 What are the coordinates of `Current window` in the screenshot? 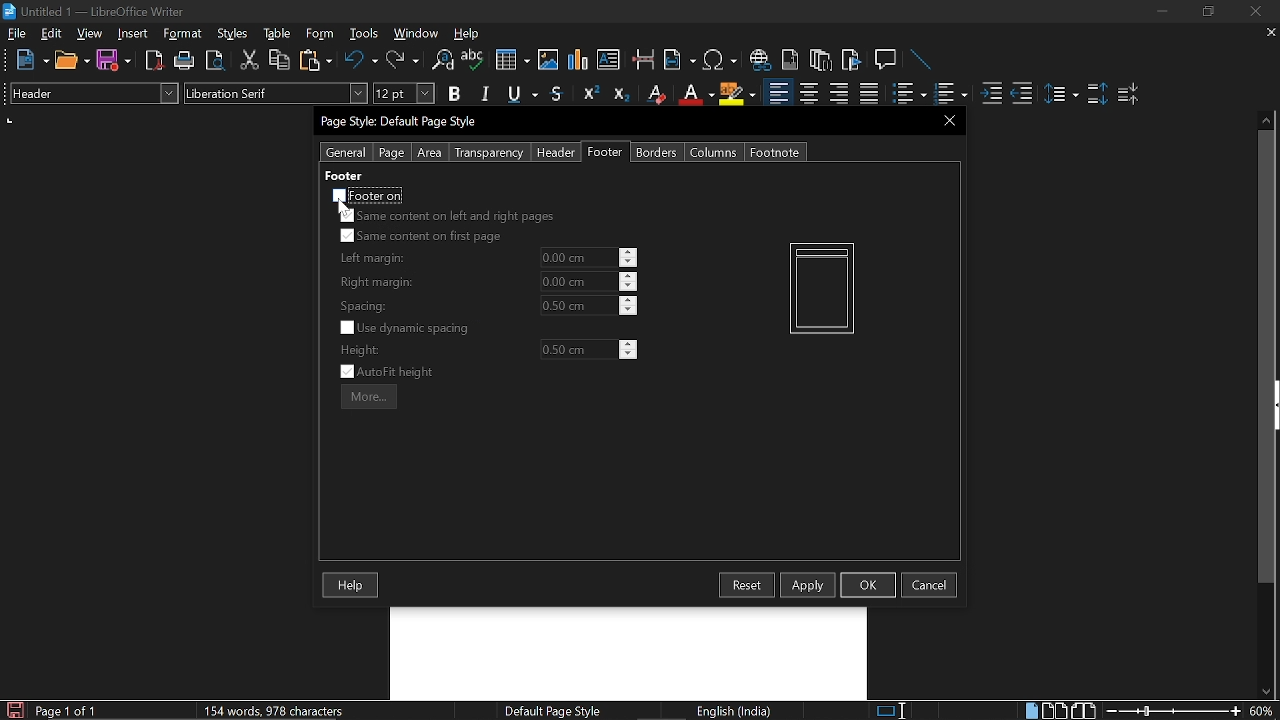 It's located at (94, 12).